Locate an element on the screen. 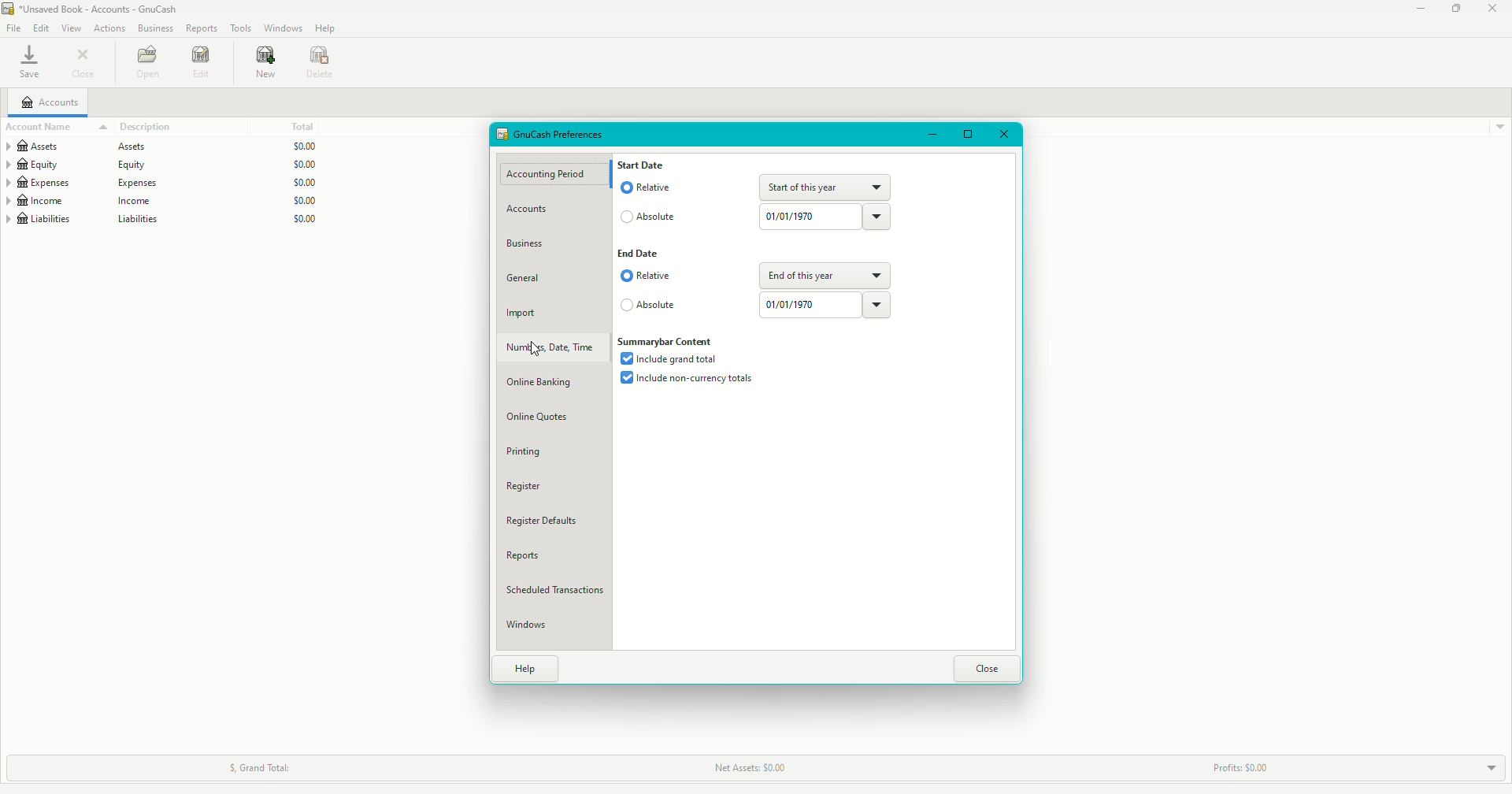 Image resolution: width=1512 pixels, height=794 pixels. Import is located at coordinates (523, 314).